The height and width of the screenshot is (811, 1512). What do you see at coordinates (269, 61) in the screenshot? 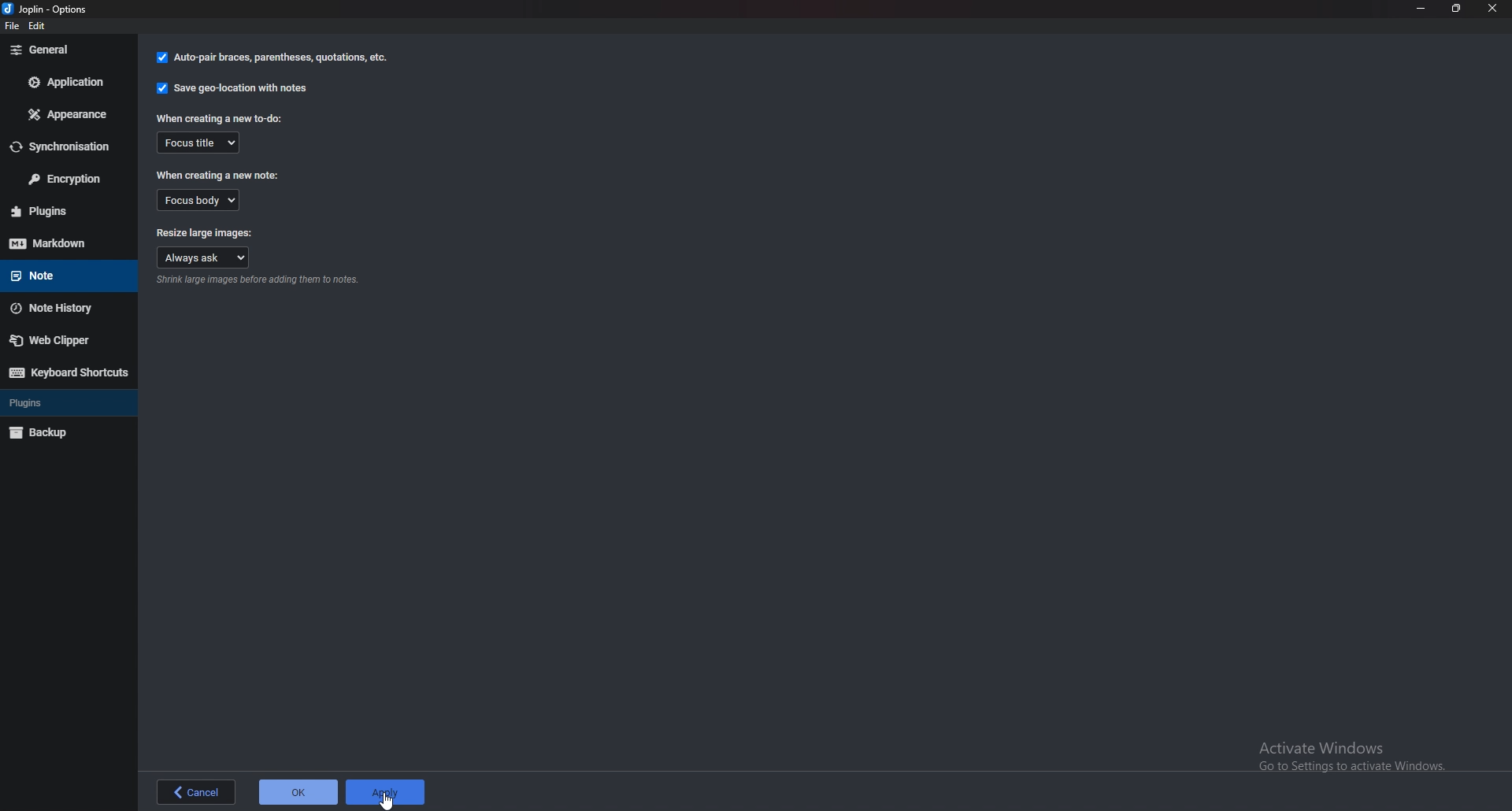
I see `auto pair braces, parenthesis` at bounding box center [269, 61].